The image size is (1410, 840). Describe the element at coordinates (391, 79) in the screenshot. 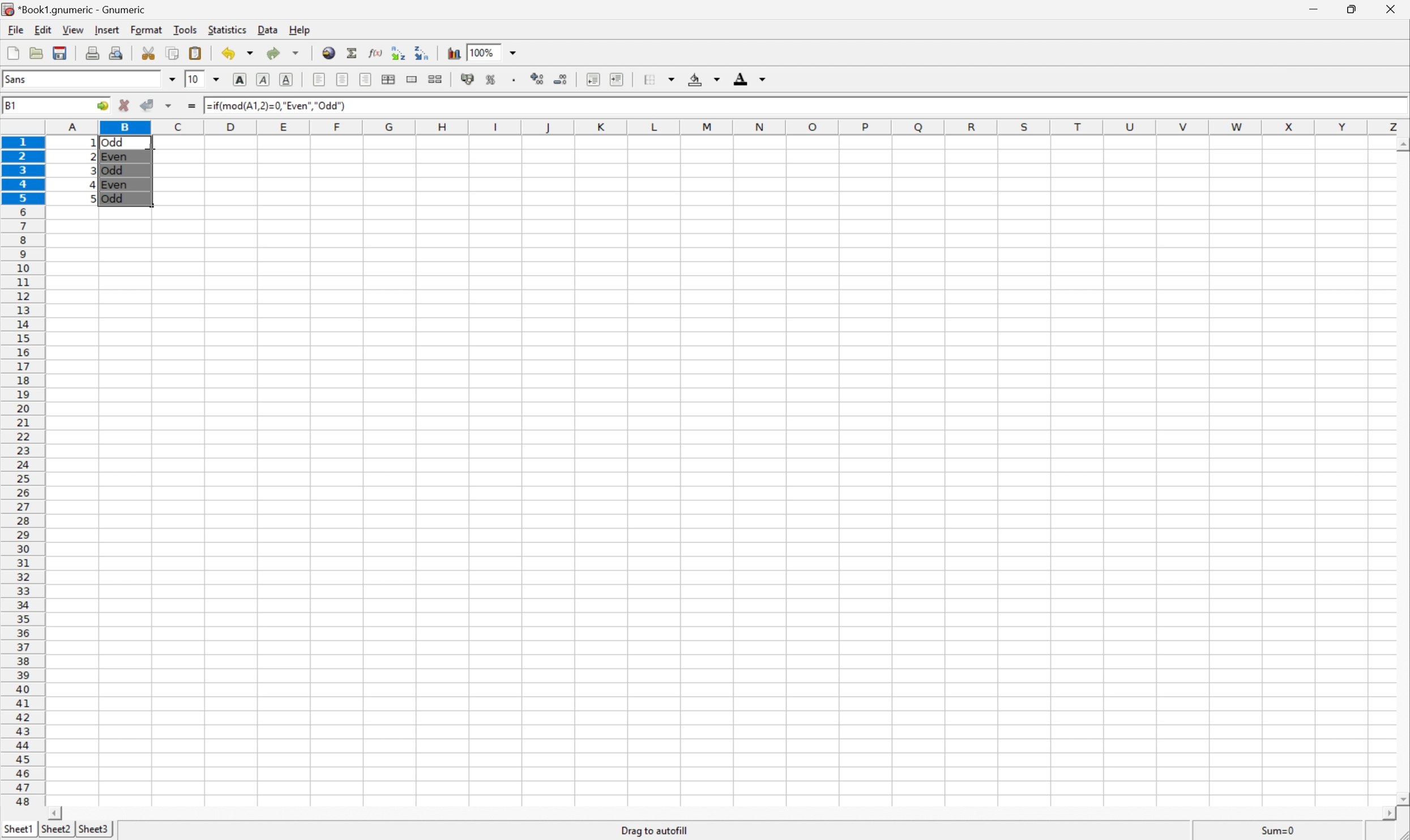

I see `Center horizontally across selection` at that location.